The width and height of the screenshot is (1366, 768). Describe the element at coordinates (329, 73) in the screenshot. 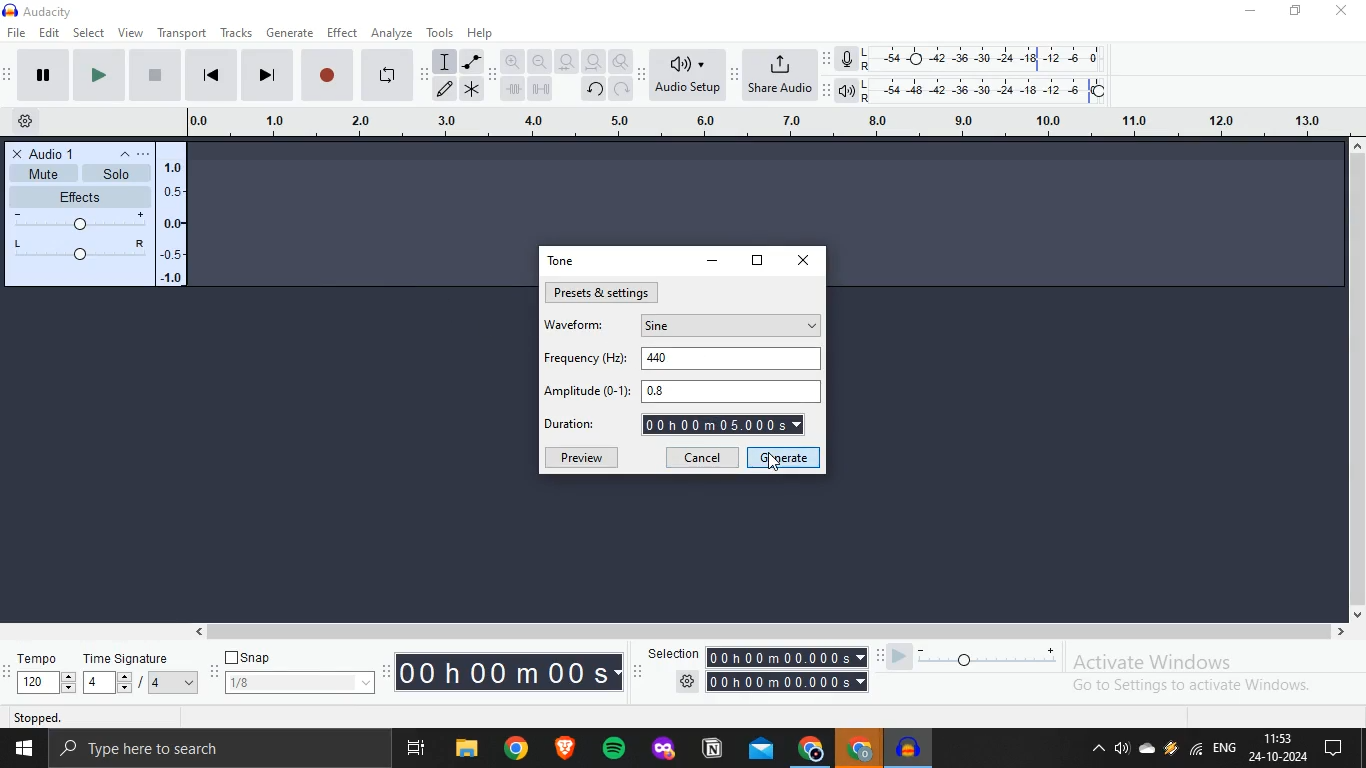

I see `Stop` at that location.